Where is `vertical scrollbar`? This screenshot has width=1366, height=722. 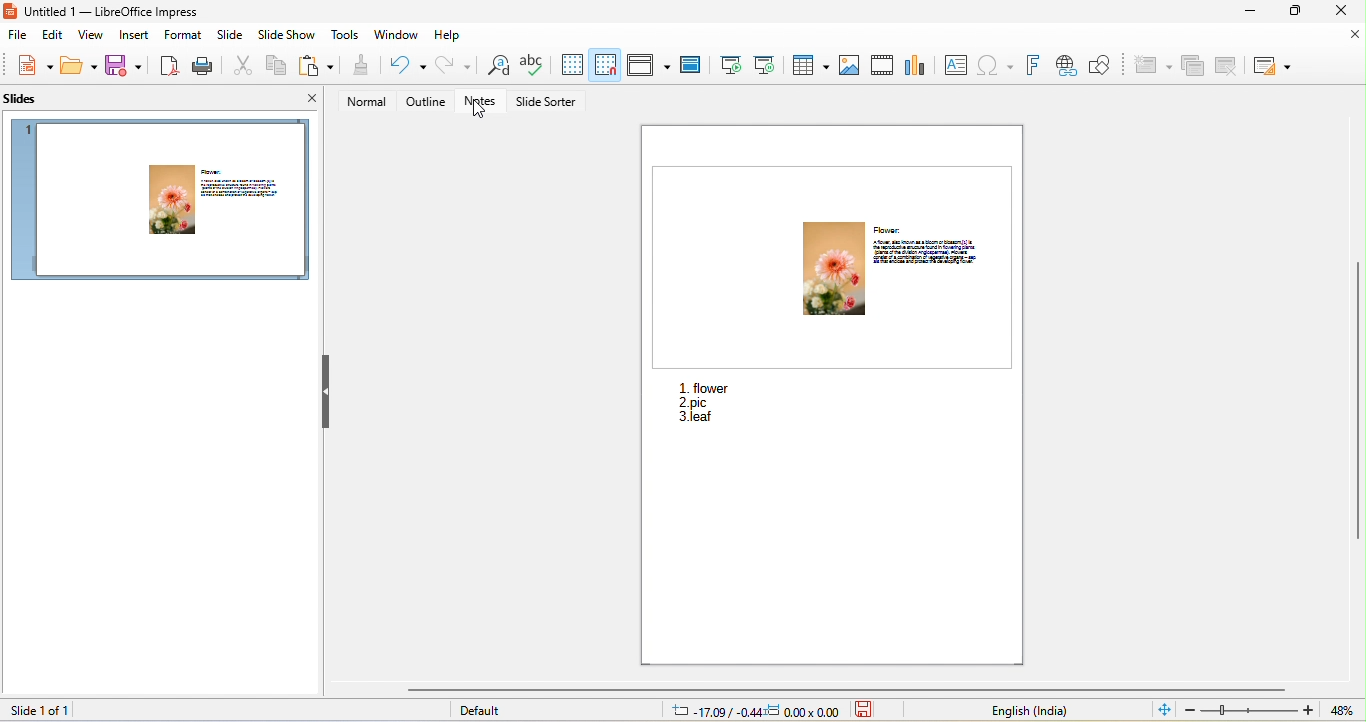 vertical scrollbar is located at coordinates (1357, 405).